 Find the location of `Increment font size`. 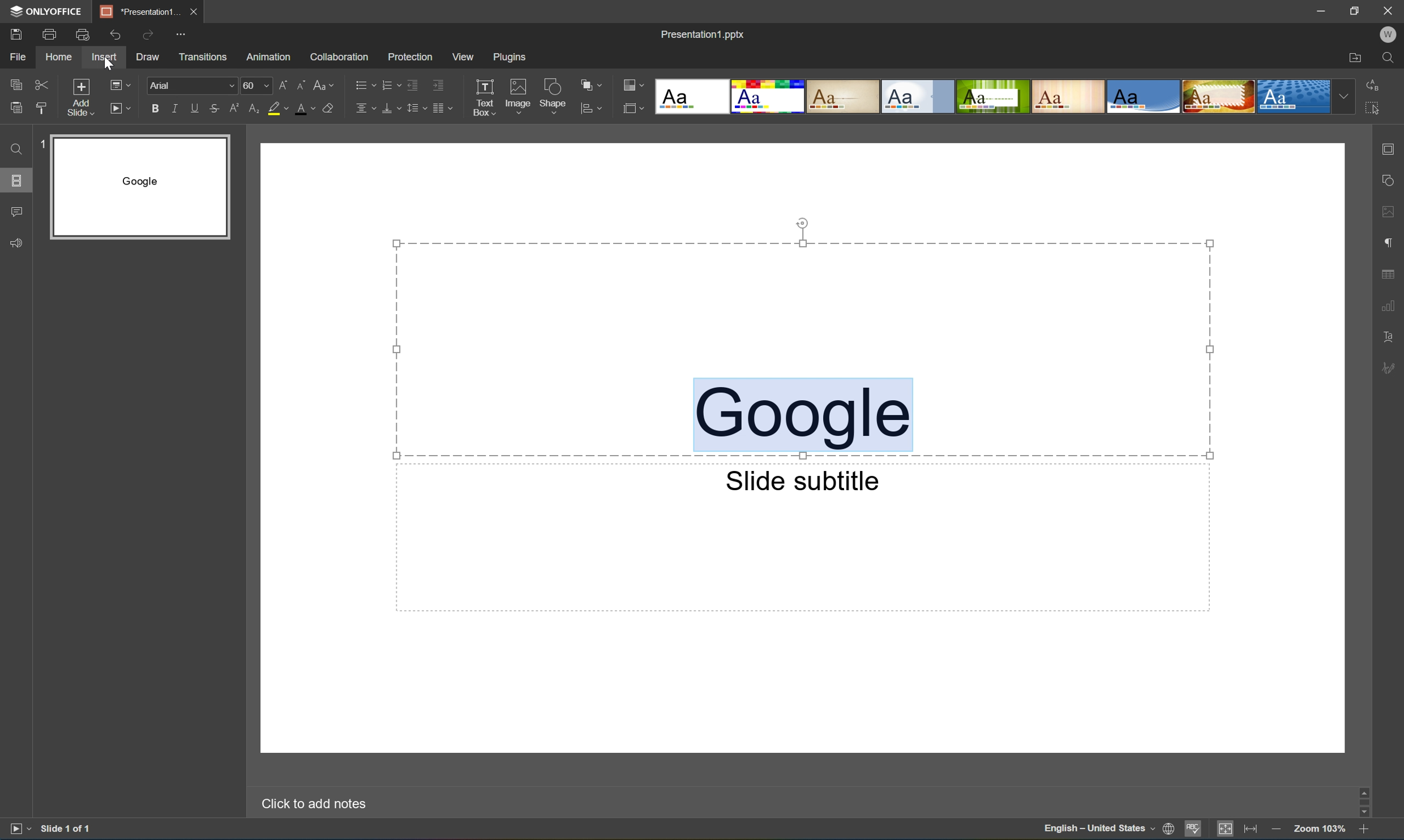

Increment font size is located at coordinates (285, 84).